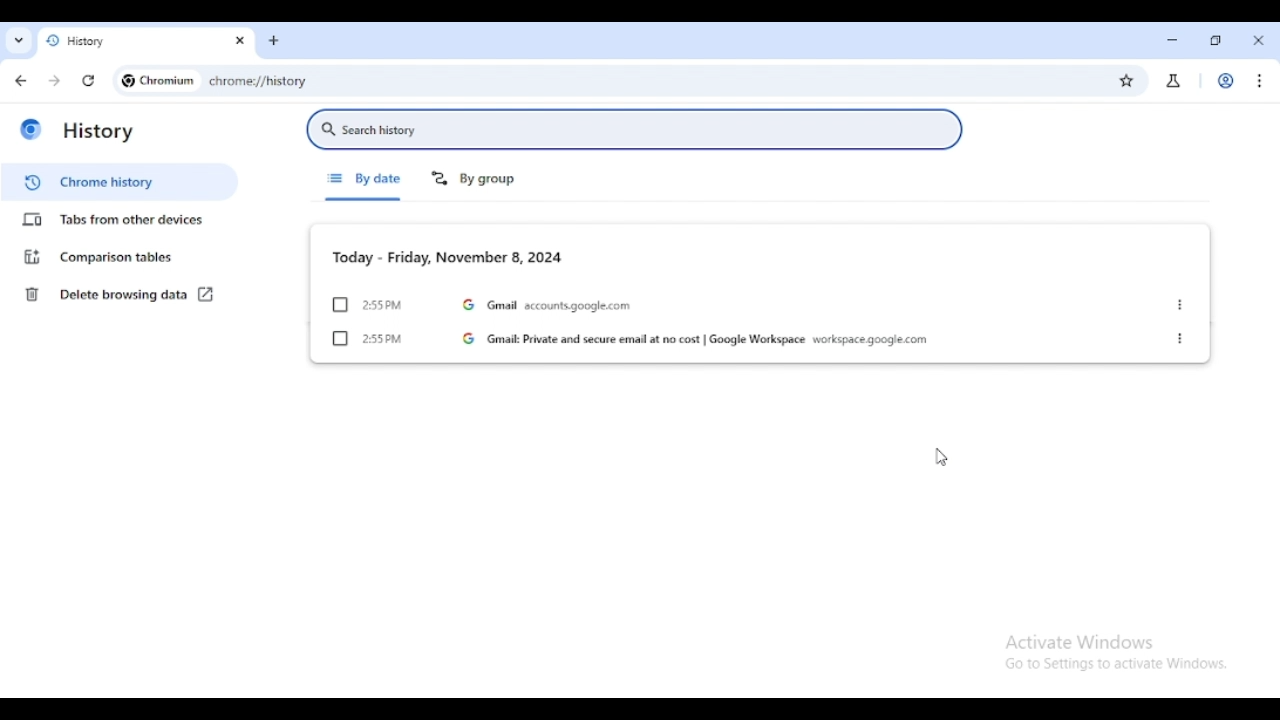 This screenshot has width=1280, height=720. What do you see at coordinates (447, 256) in the screenshot?
I see `Today - Friday, November 8, 2024` at bounding box center [447, 256].